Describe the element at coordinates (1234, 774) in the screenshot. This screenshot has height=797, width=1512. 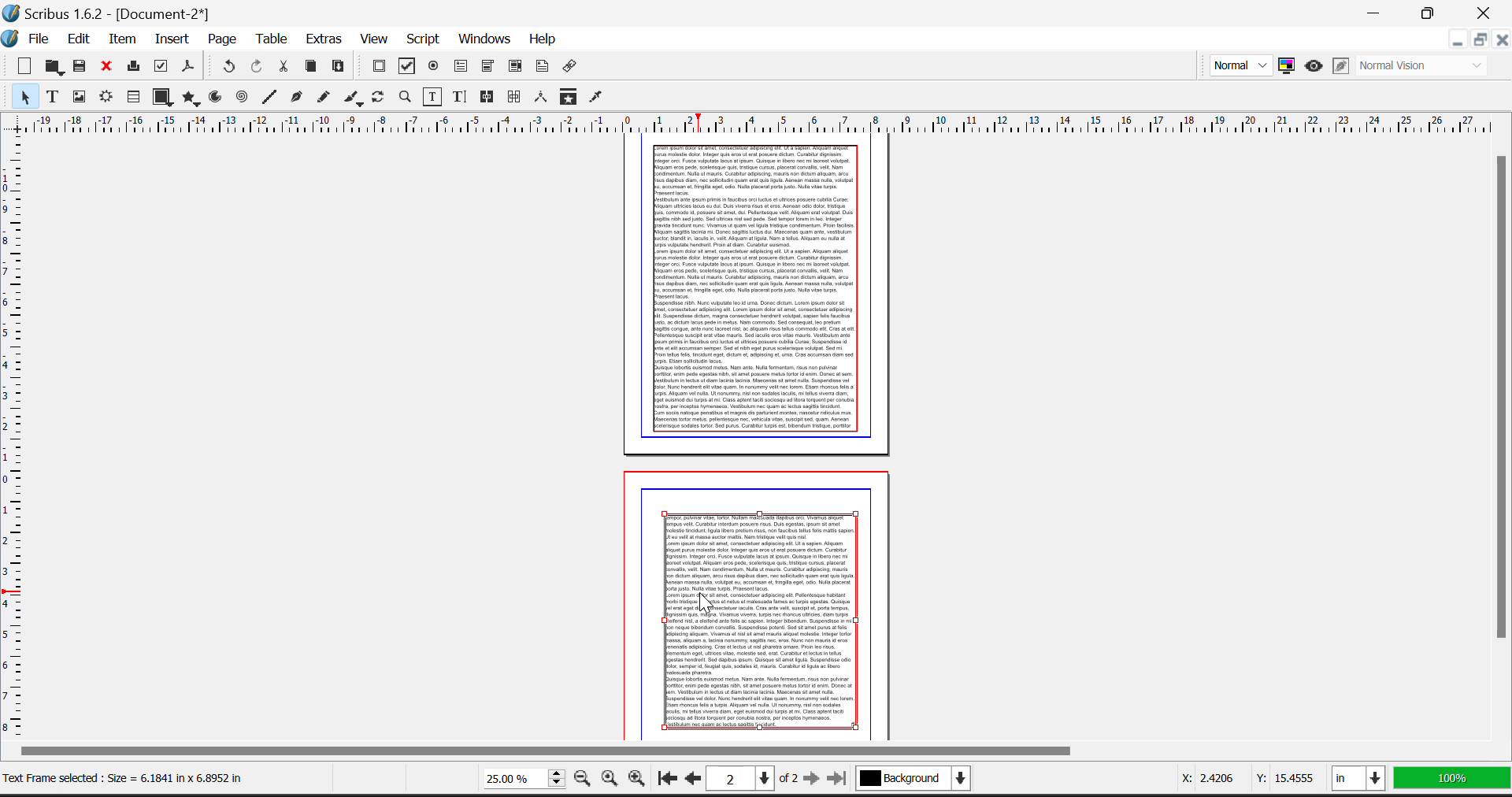
I see `X: 2.4206 Y: 154555` at that location.